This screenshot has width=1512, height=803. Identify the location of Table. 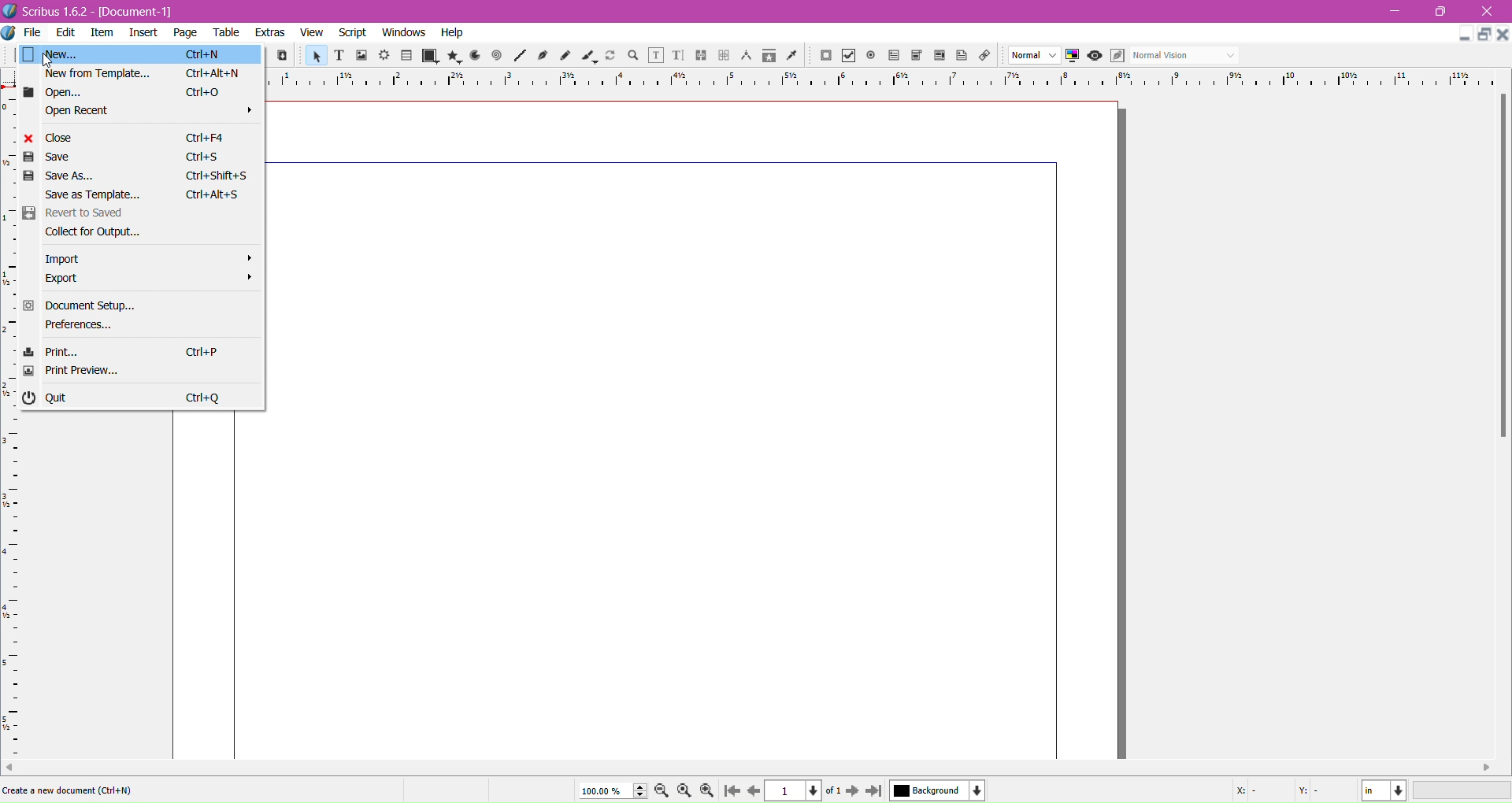
(225, 33).